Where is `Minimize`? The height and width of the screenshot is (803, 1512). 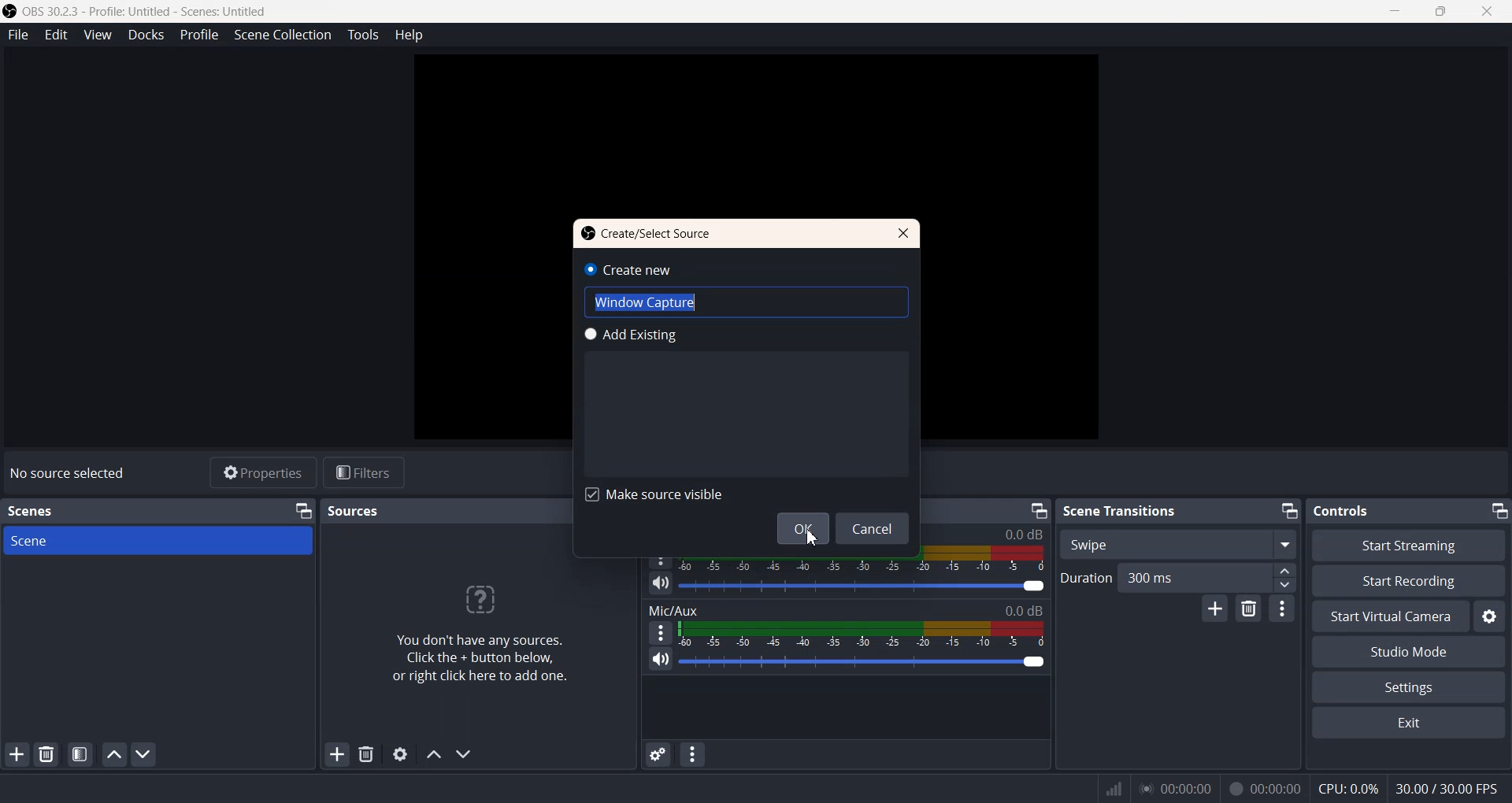
Minimize is located at coordinates (305, 510).